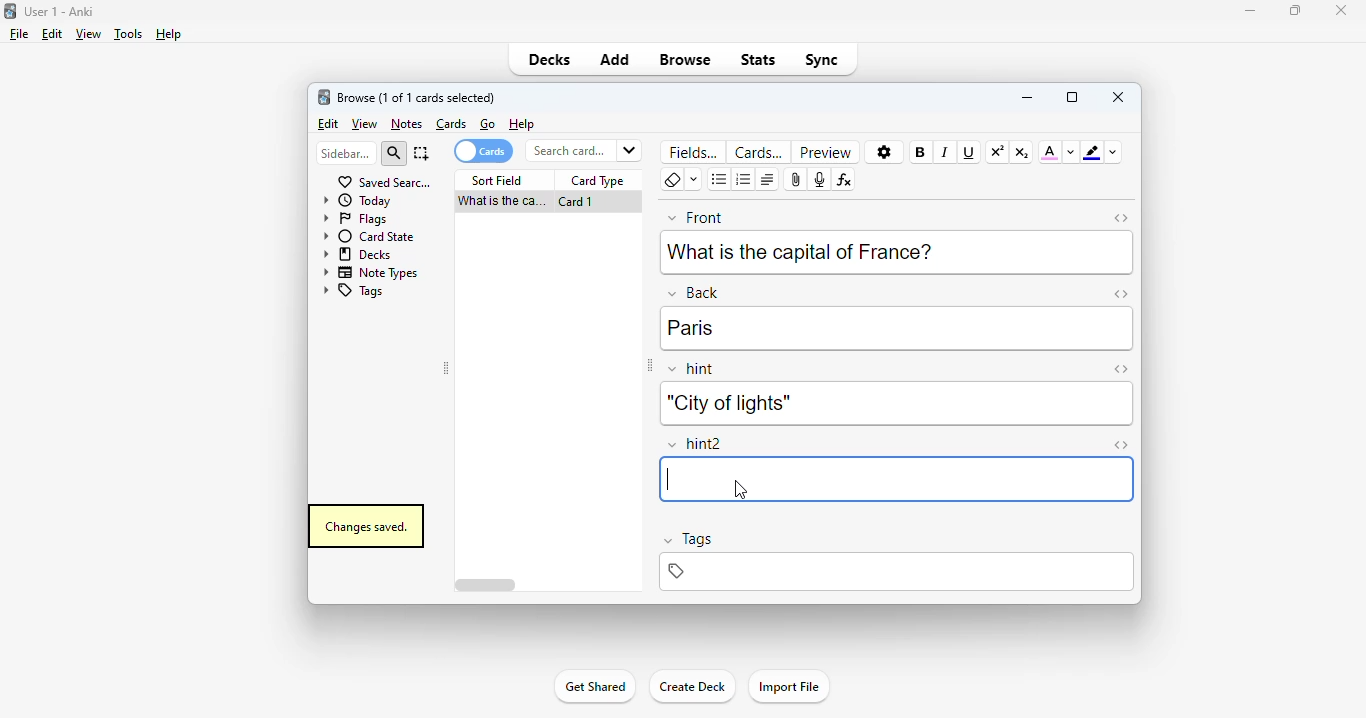 The width and height of the screenshot is (1366, 718). Describe the element at coordinates (406, 124) in the screenshot. I see `notes` at that location.